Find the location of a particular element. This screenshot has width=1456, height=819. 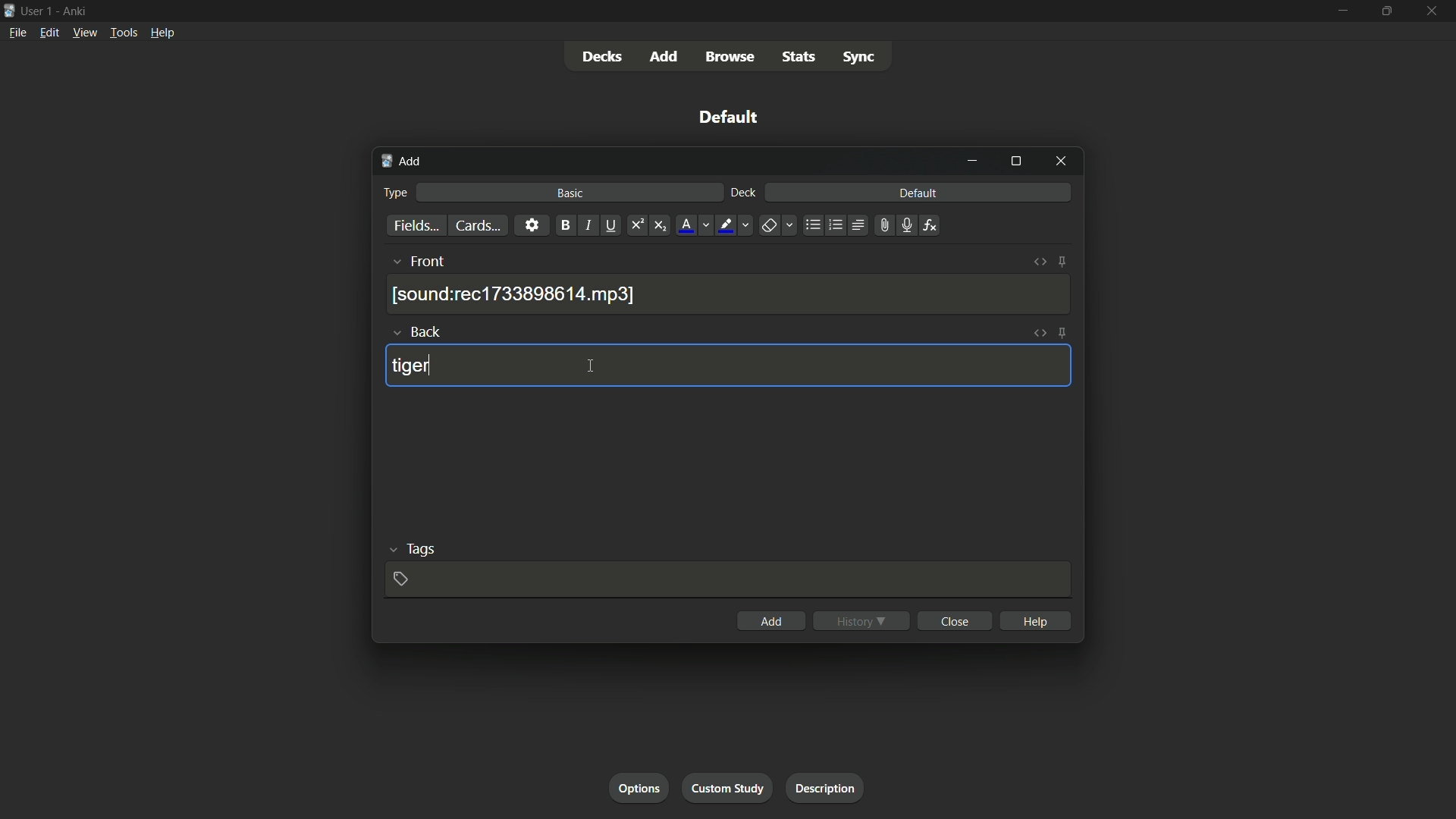

tools menu is located at coordinates (124, 33).